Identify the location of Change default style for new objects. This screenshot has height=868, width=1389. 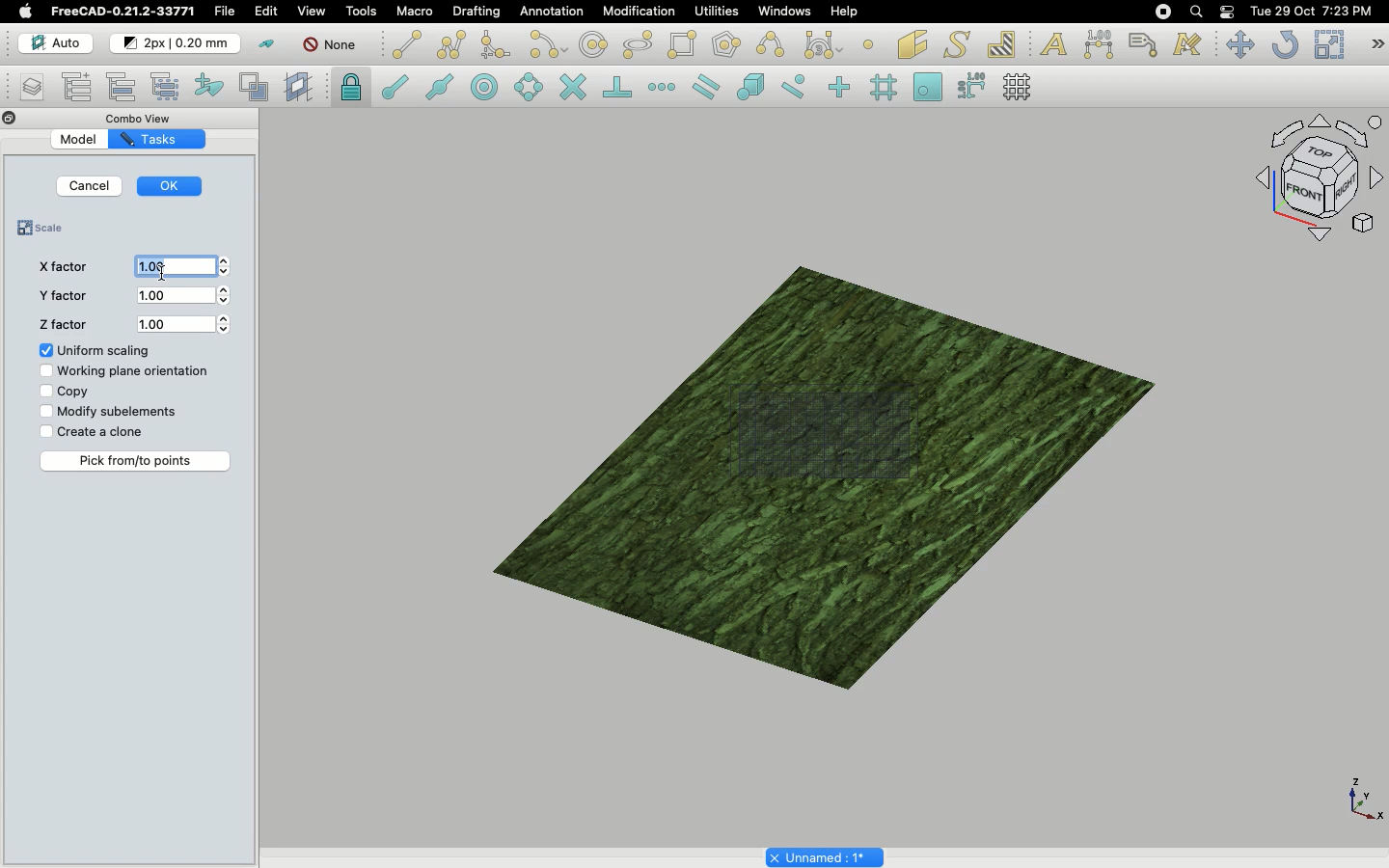
(177, 43).